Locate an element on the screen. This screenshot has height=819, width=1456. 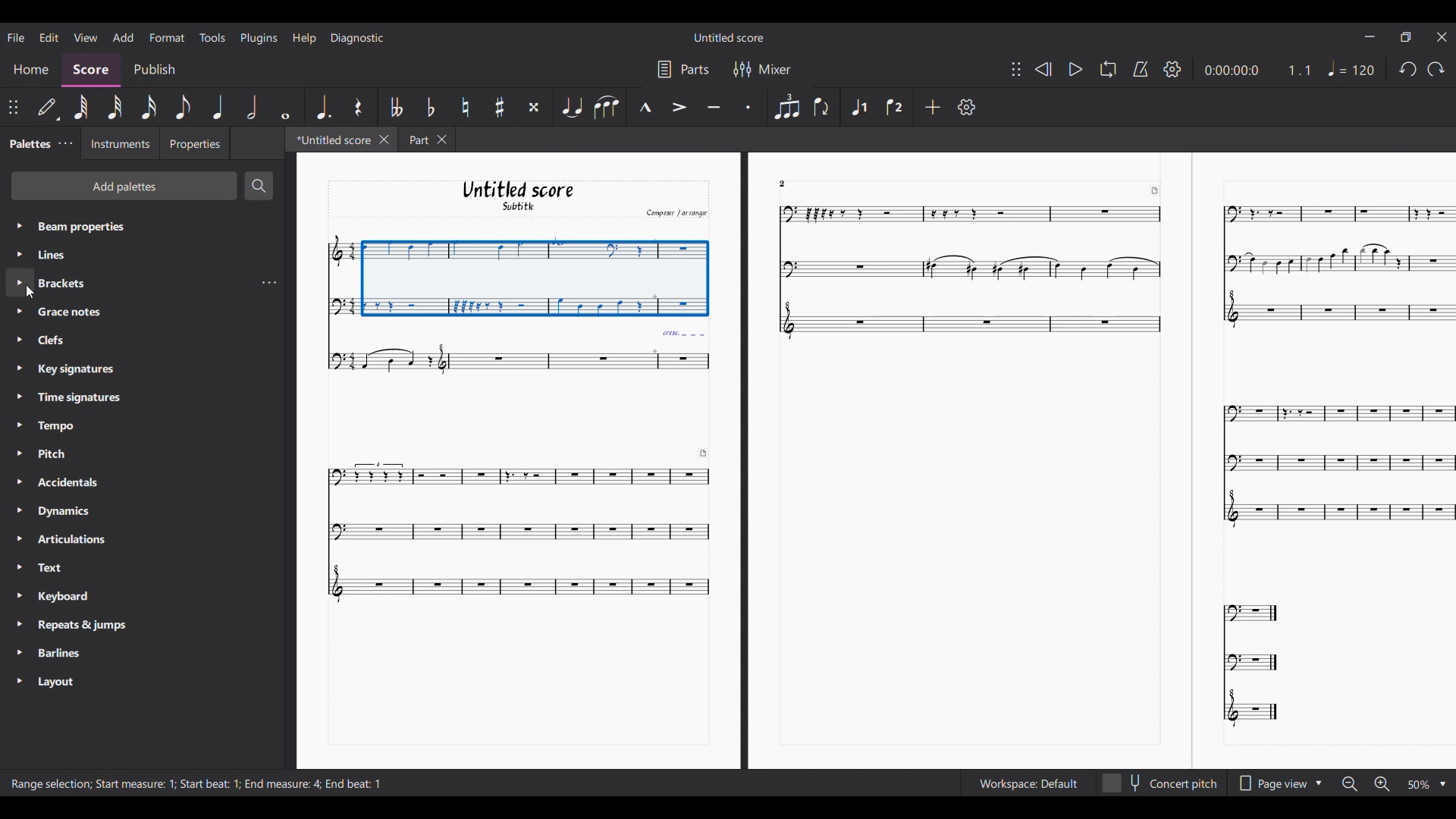
 is located at coordinates (1250, 613).